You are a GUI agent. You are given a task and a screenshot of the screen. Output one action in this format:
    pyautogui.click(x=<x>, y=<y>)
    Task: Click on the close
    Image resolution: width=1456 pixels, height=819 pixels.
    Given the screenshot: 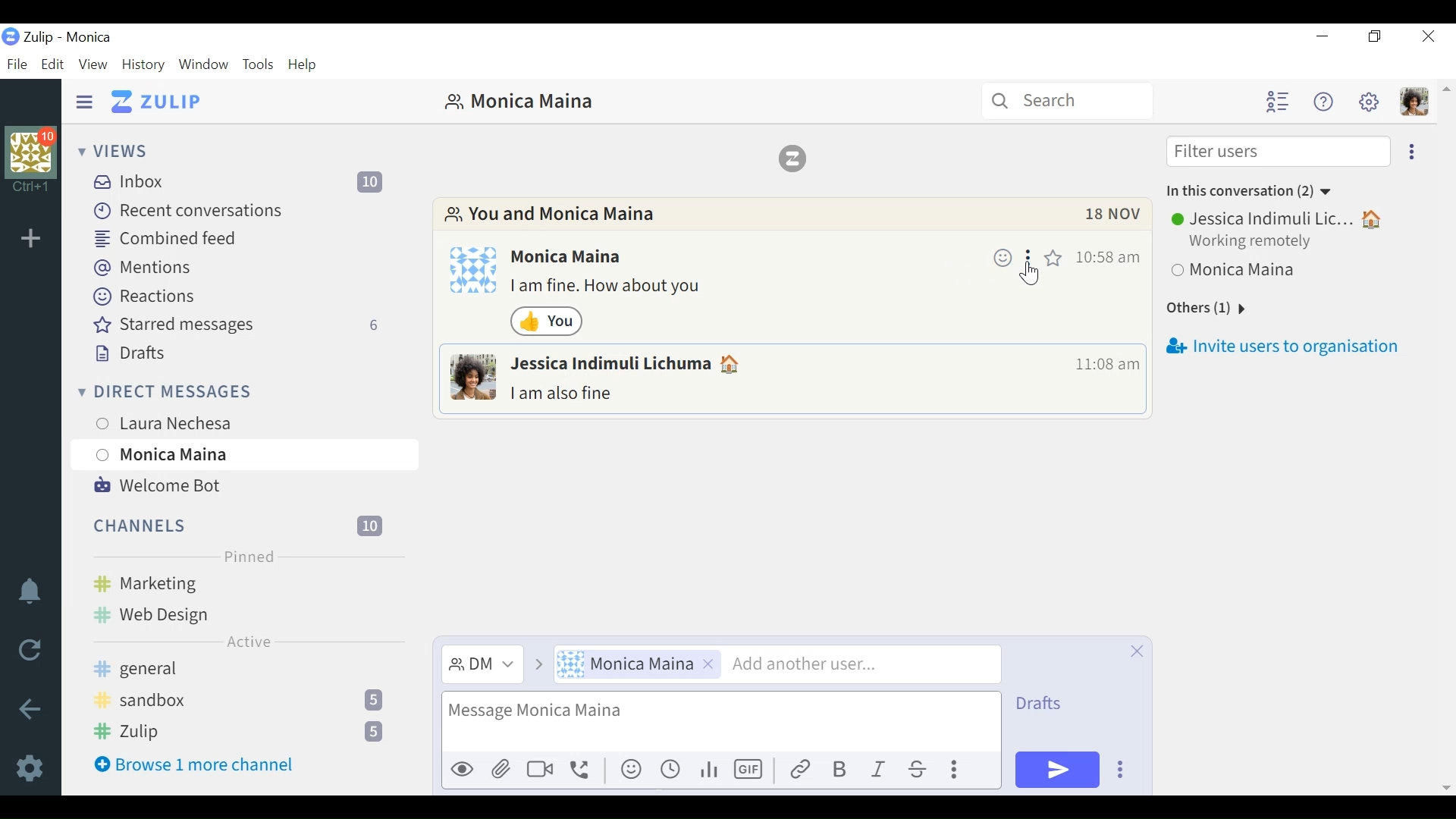 What is the action you would take?
    pyautogui.click(x=1134, y=652)
    